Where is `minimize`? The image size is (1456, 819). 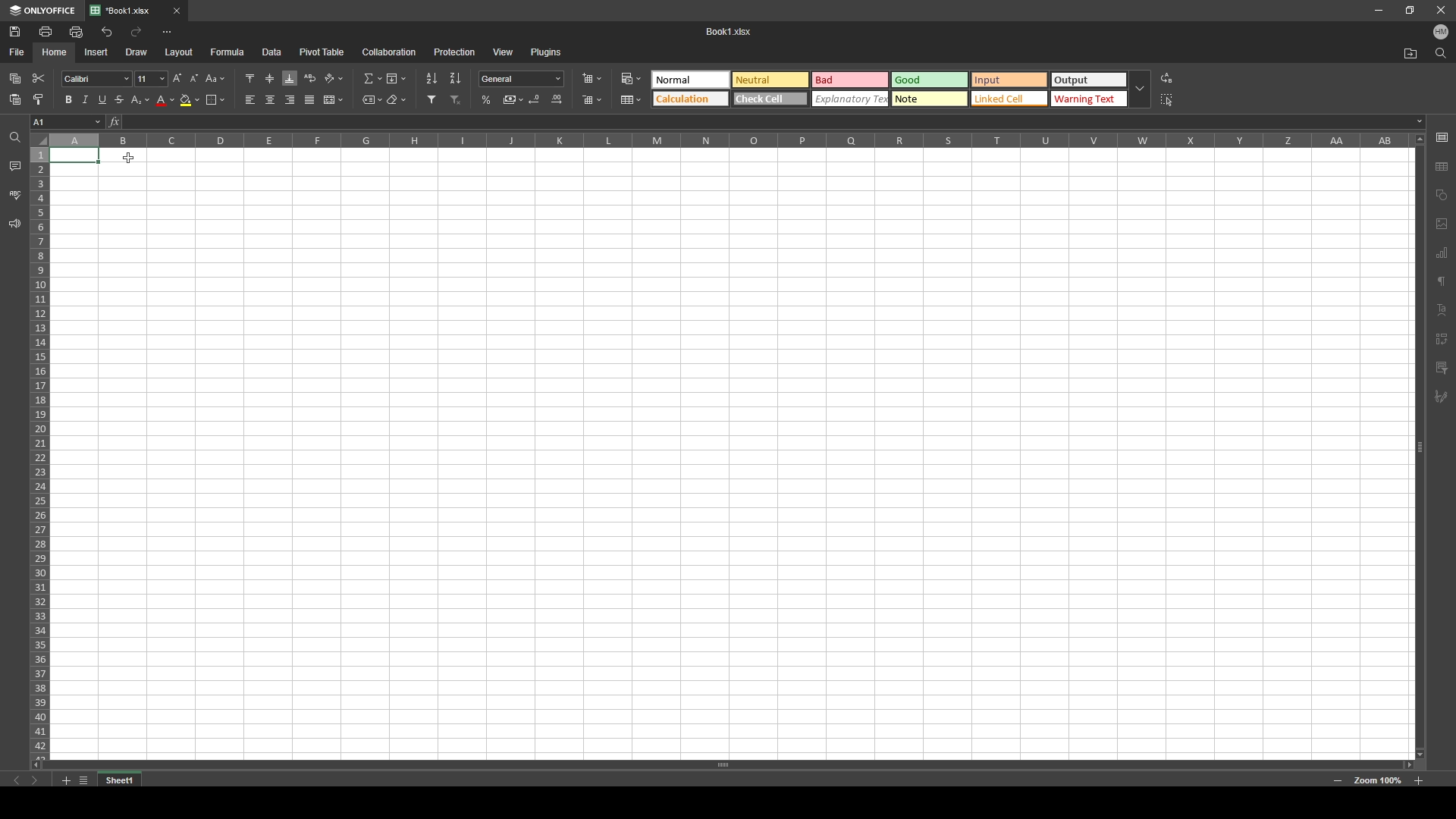 minimize is located at coordinates (1379, 10).